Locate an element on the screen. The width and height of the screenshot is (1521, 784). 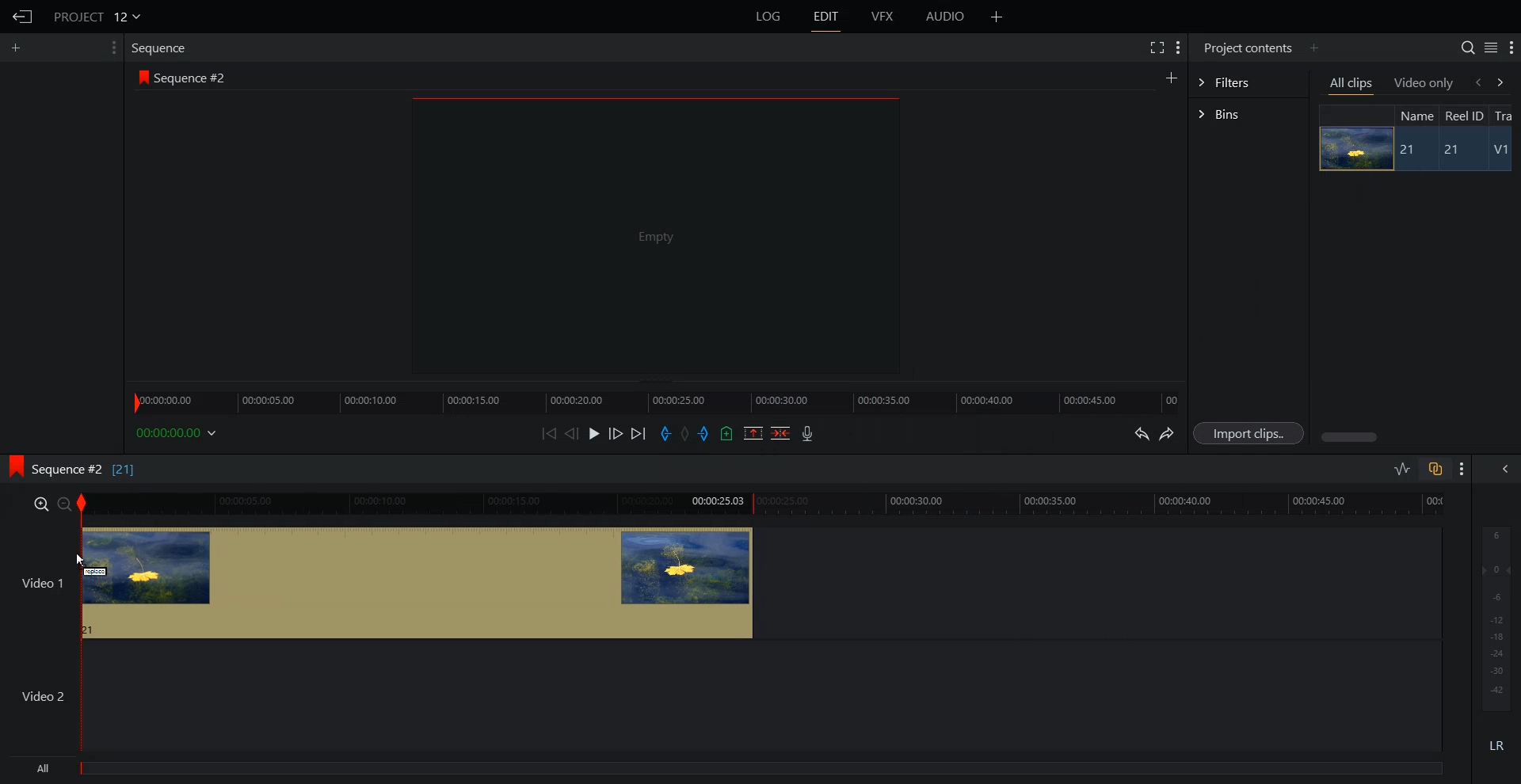
logo is located at coordinates (140, 77).